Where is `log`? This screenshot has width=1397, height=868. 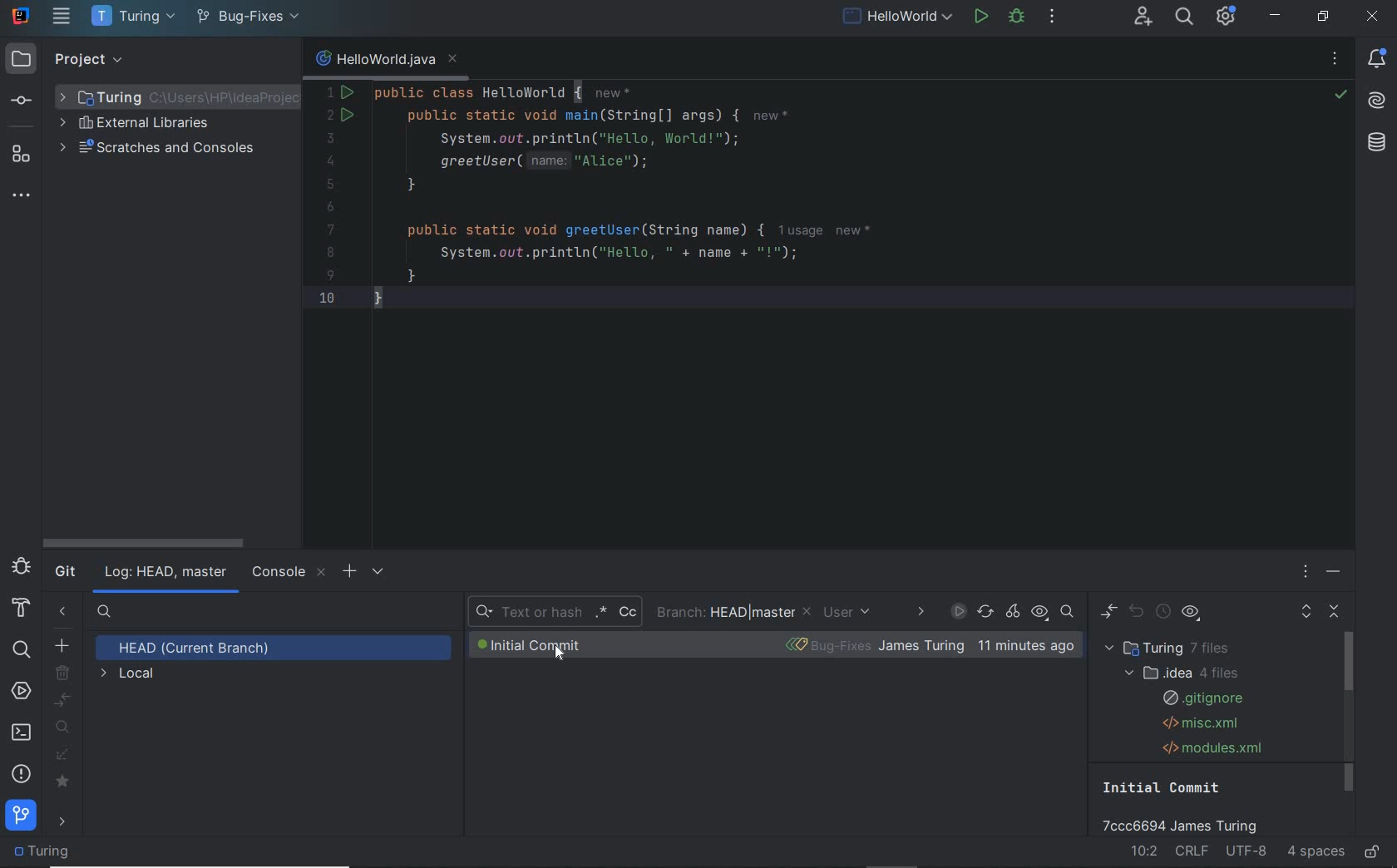 log is located at coordinates (165, 573).